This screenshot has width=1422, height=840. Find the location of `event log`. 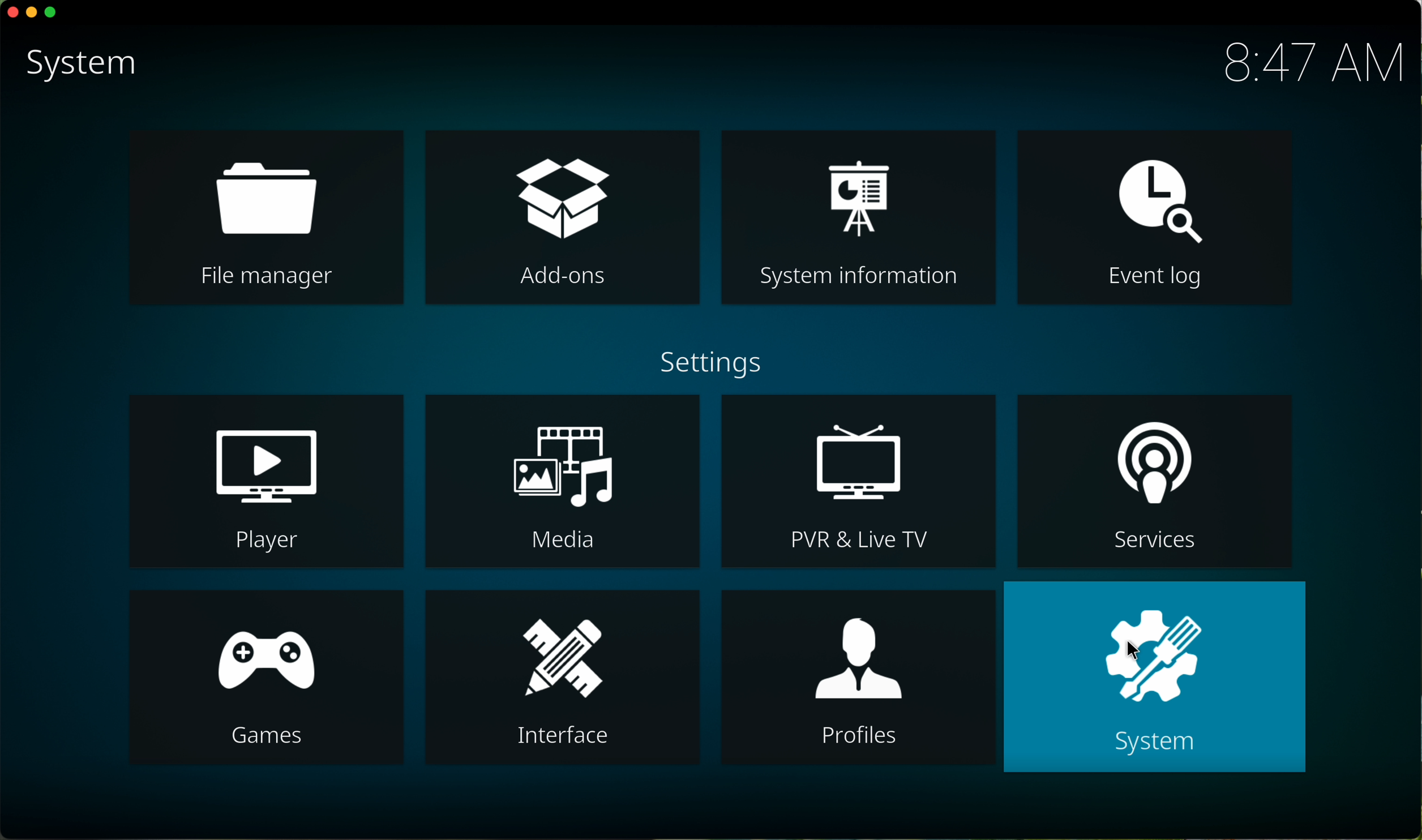

event log is located at coordinates (1155, 216).